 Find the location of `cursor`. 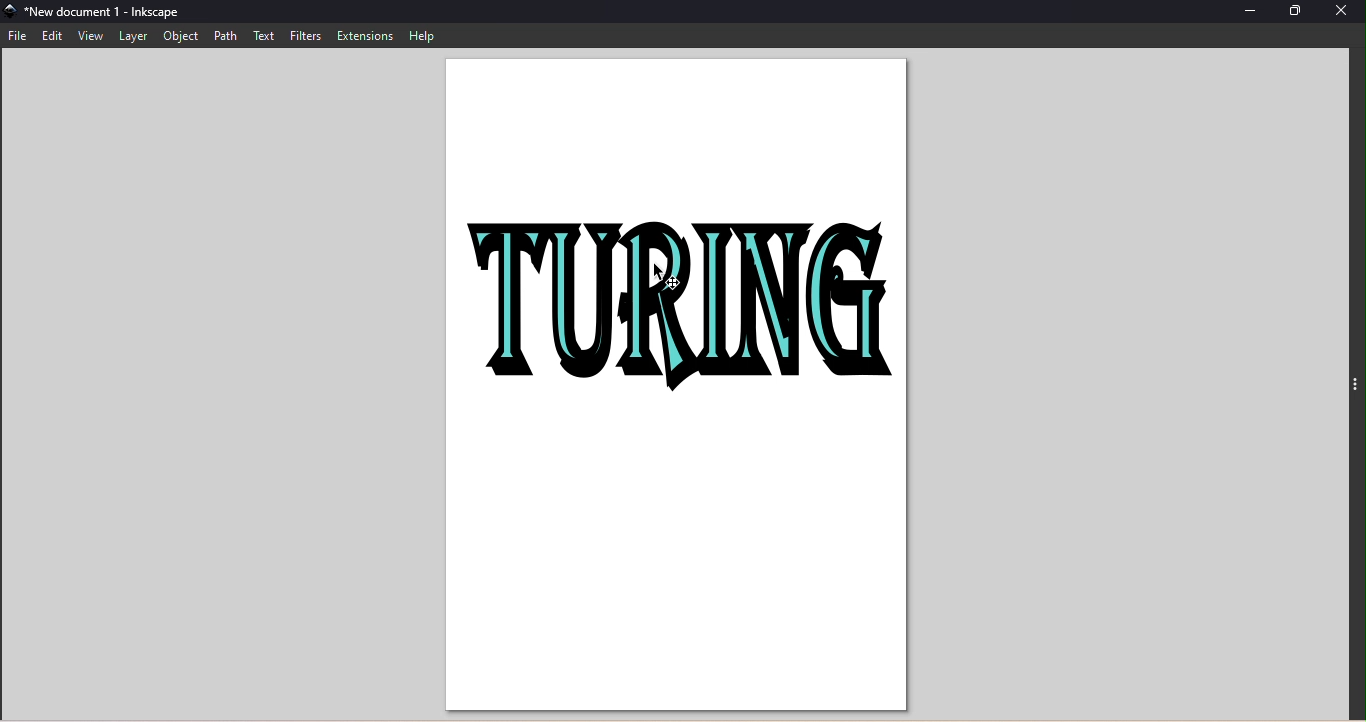

cursor is located at coordinates (662, 276).